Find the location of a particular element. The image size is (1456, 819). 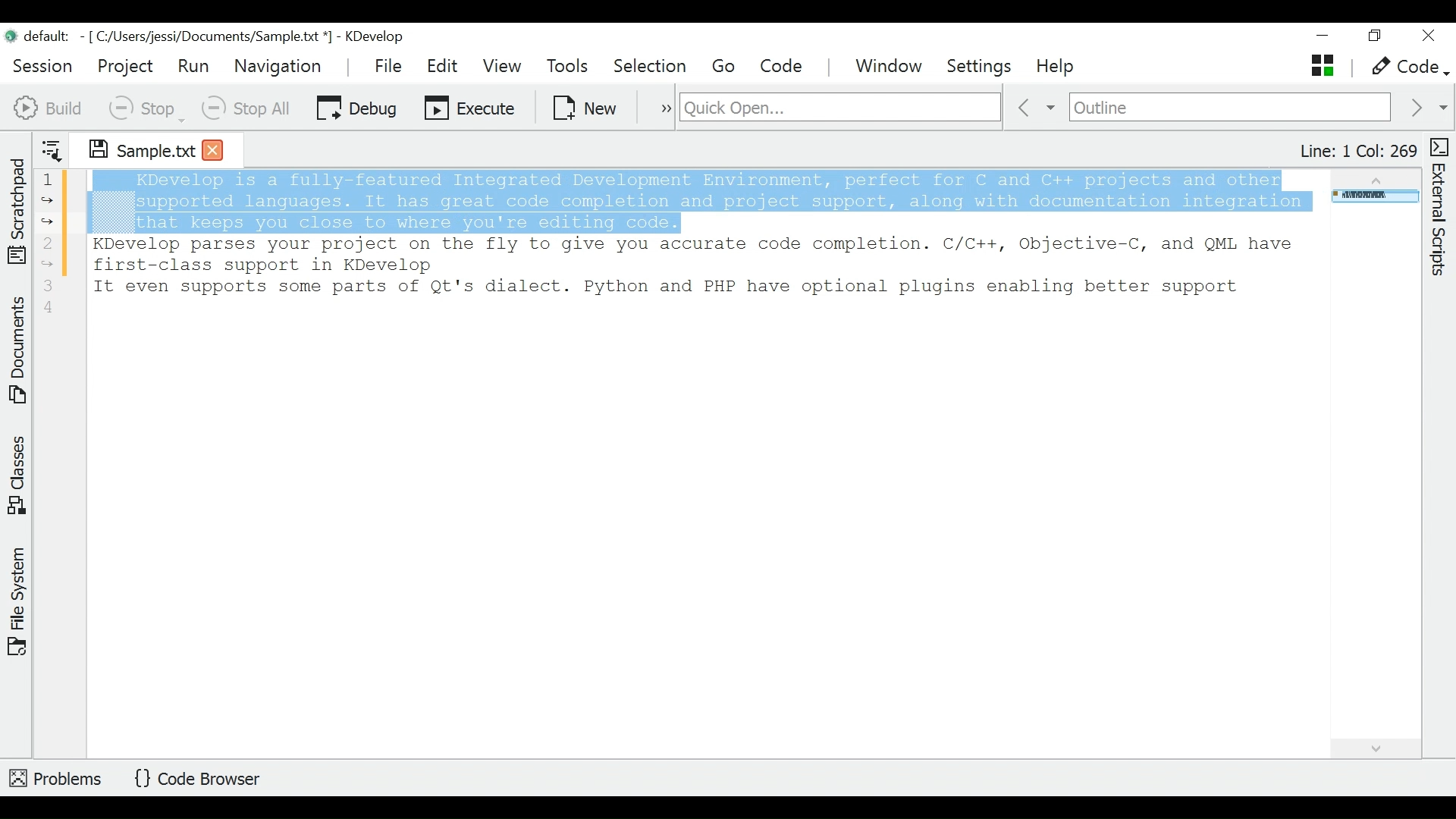

Page Overview is located at coordinates (1373, 198).